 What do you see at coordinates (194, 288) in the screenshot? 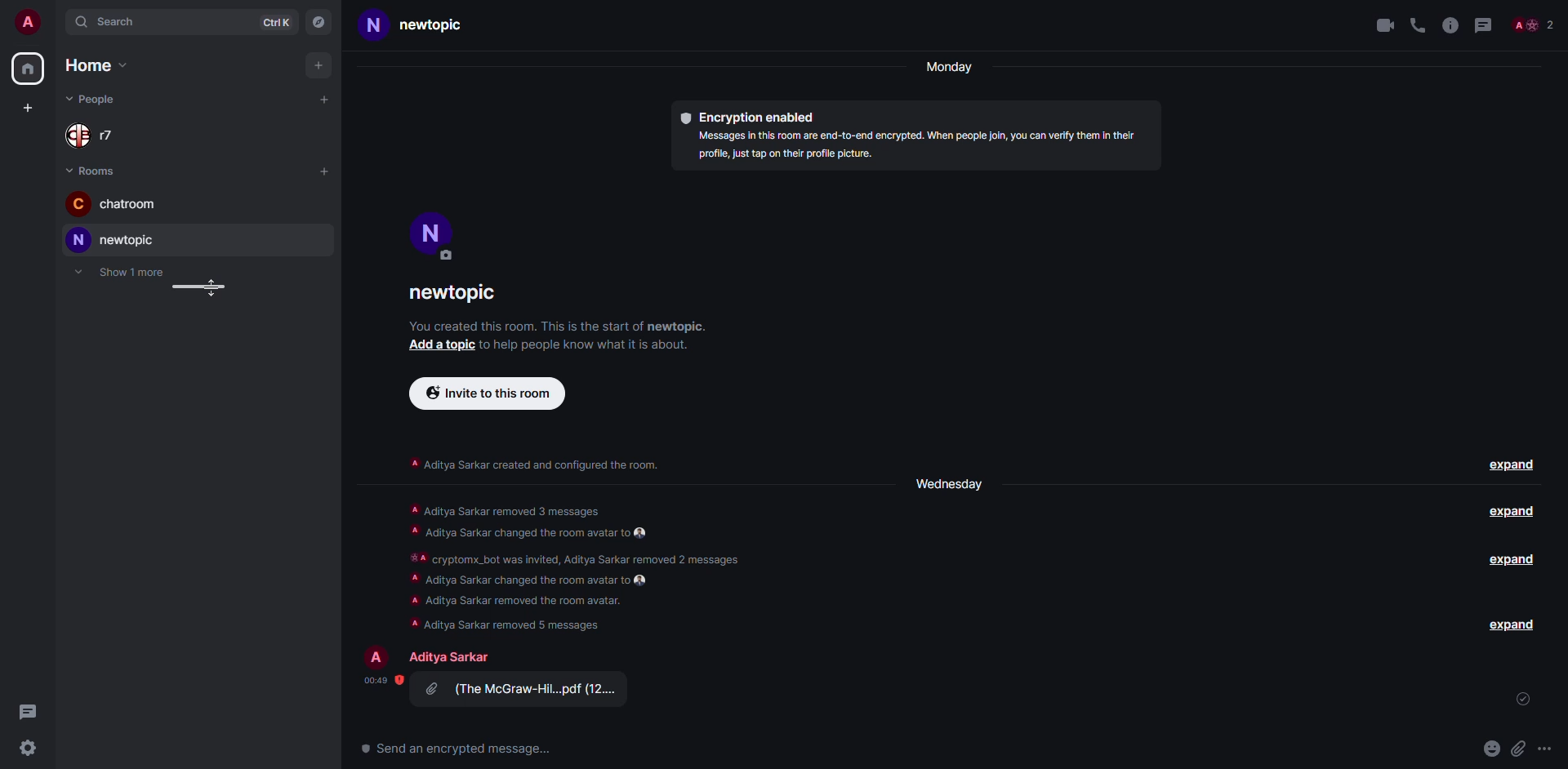
I see `adjust` at bounding box center [194, 288].